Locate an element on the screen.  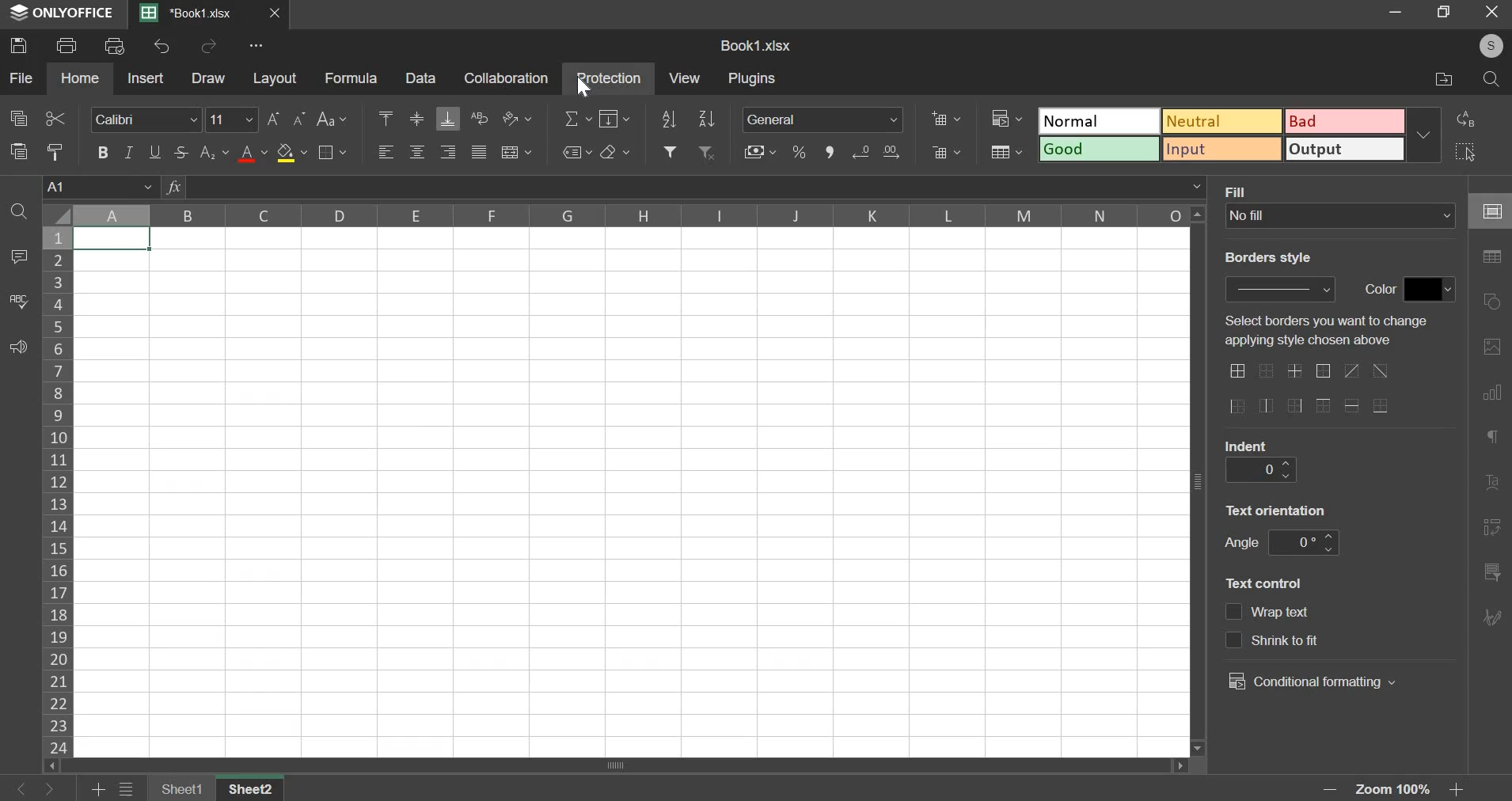
border options is located at coordinates (1351, 370).